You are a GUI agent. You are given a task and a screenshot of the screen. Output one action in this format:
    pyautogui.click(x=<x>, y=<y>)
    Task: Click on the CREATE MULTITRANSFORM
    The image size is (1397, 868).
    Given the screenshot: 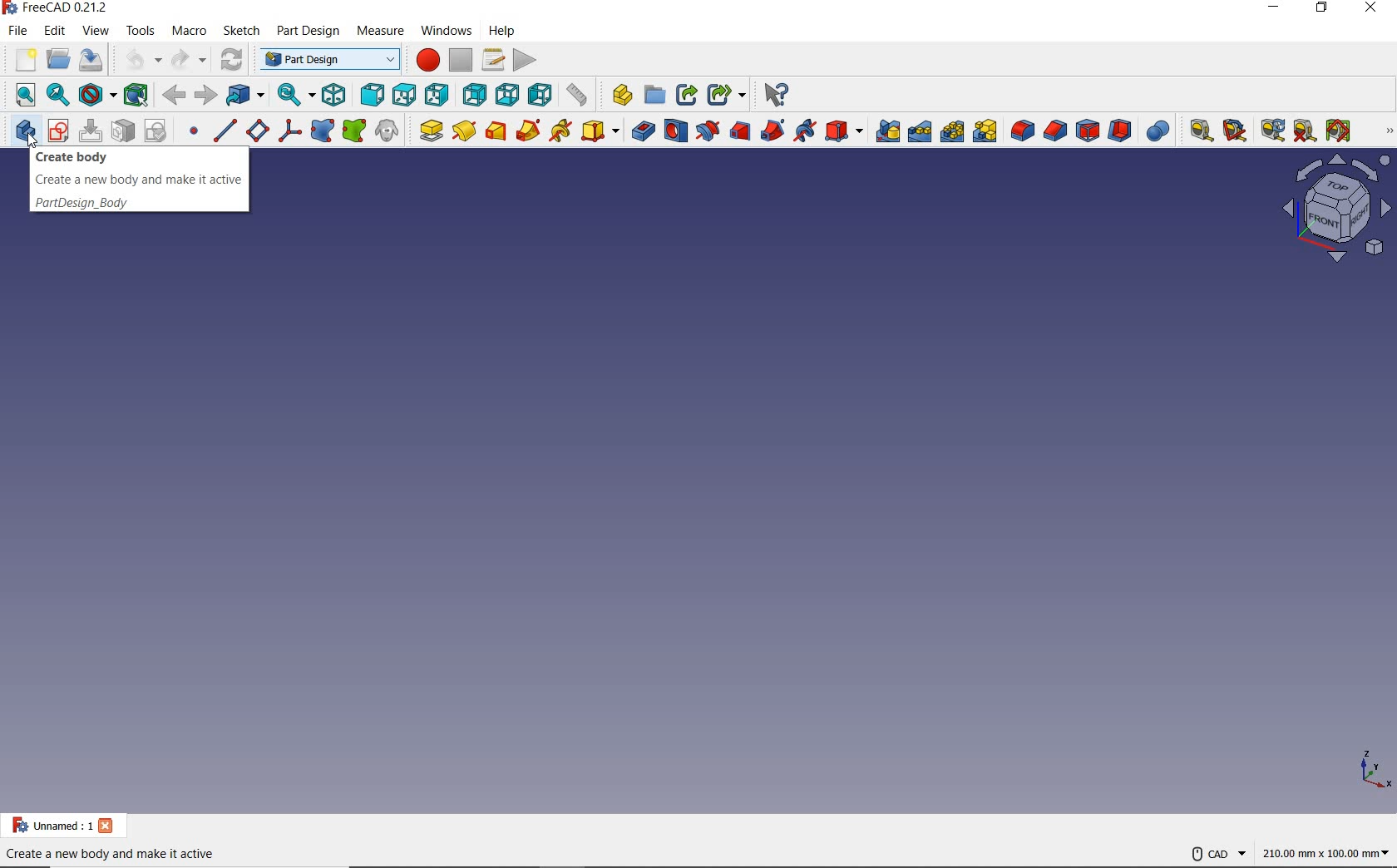 What is the action you would take?
    pyautogui.click(x=989, y=131)
    